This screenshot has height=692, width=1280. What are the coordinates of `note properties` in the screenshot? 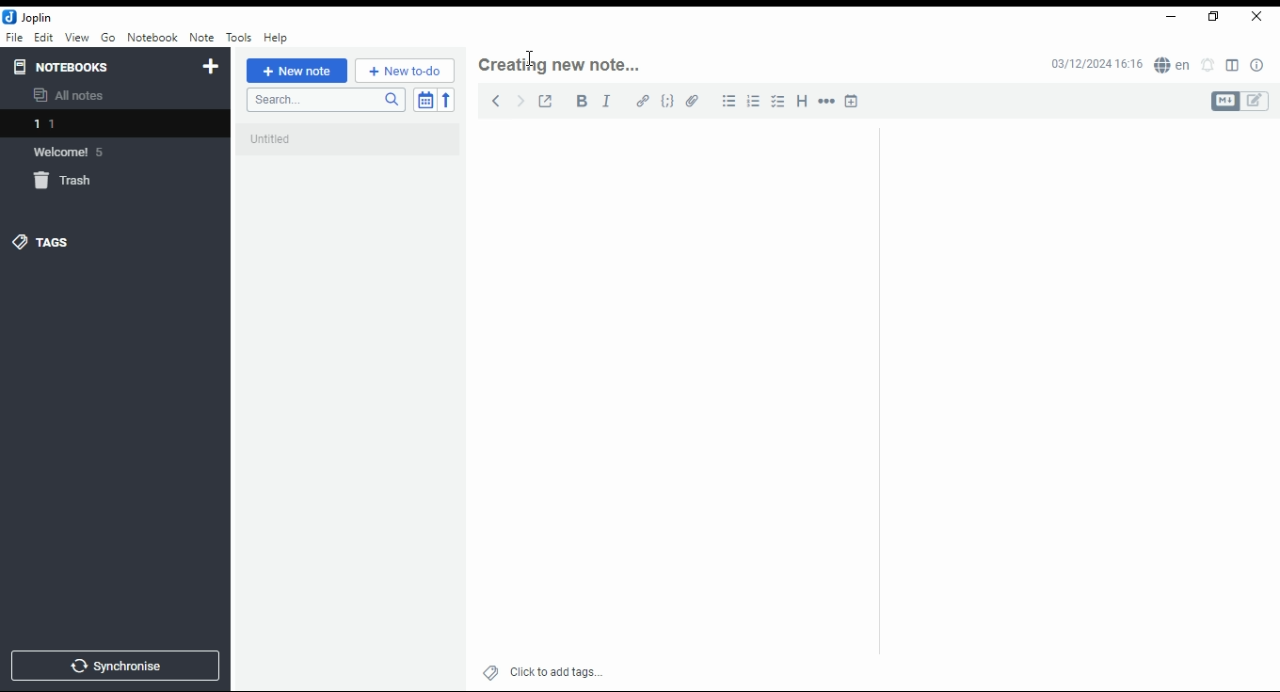 It's located at (1258, 66).